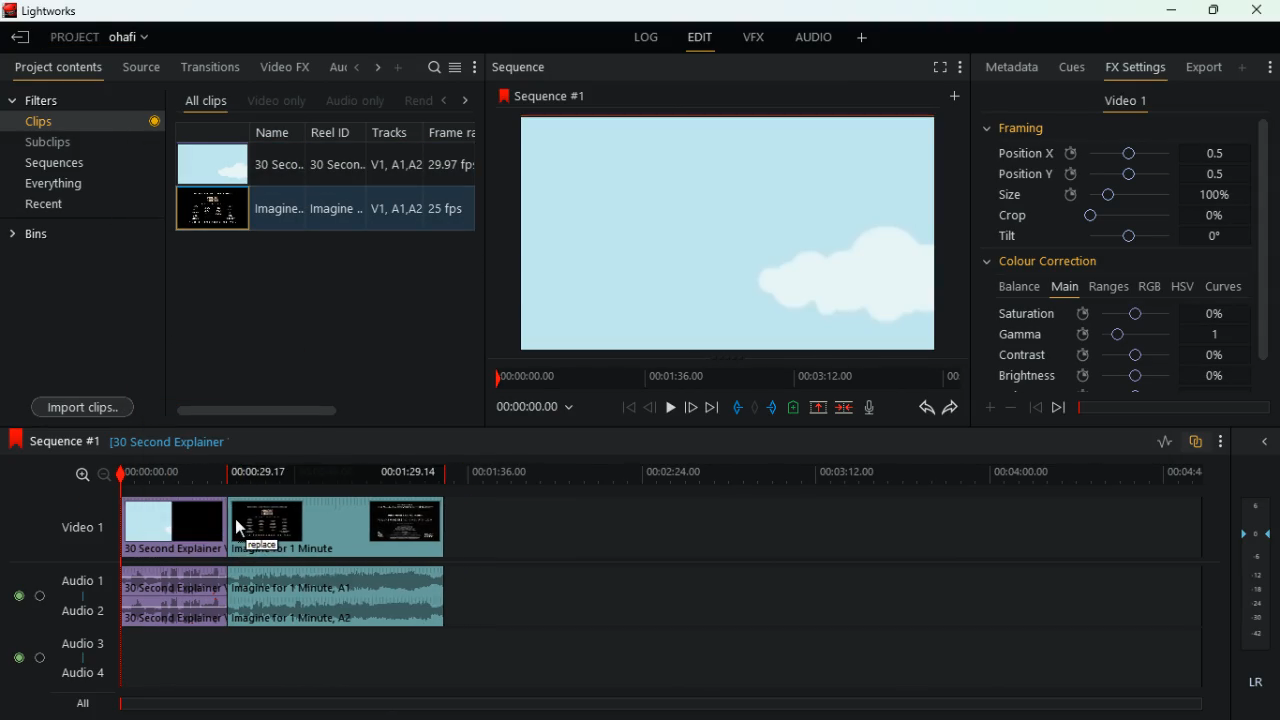  I want to click on all, so click(90, 703).